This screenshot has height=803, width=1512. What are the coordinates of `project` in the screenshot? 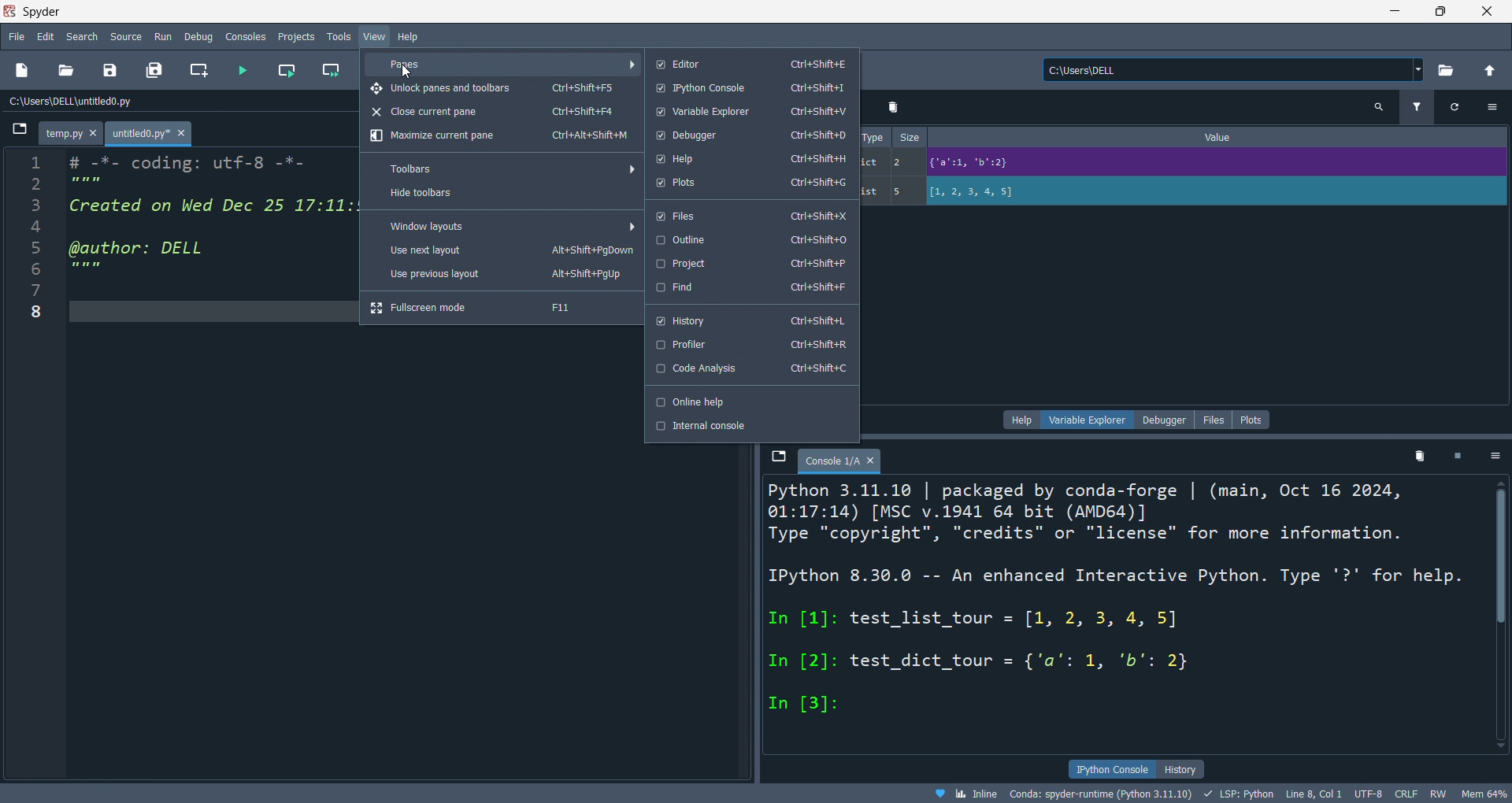 It's located at (750, 264).